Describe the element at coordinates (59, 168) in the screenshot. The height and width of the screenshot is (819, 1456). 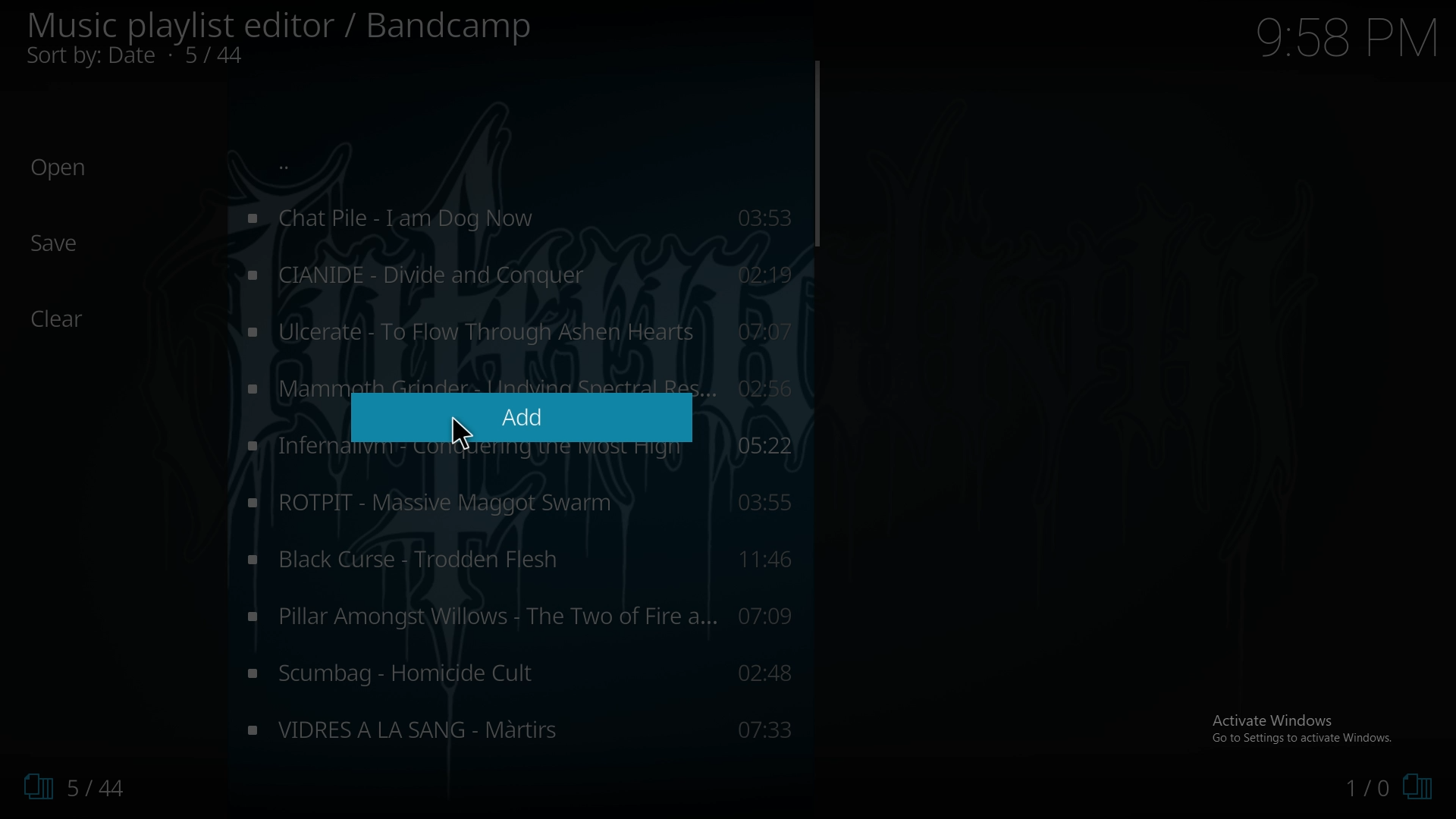
I see `Open` at that location.